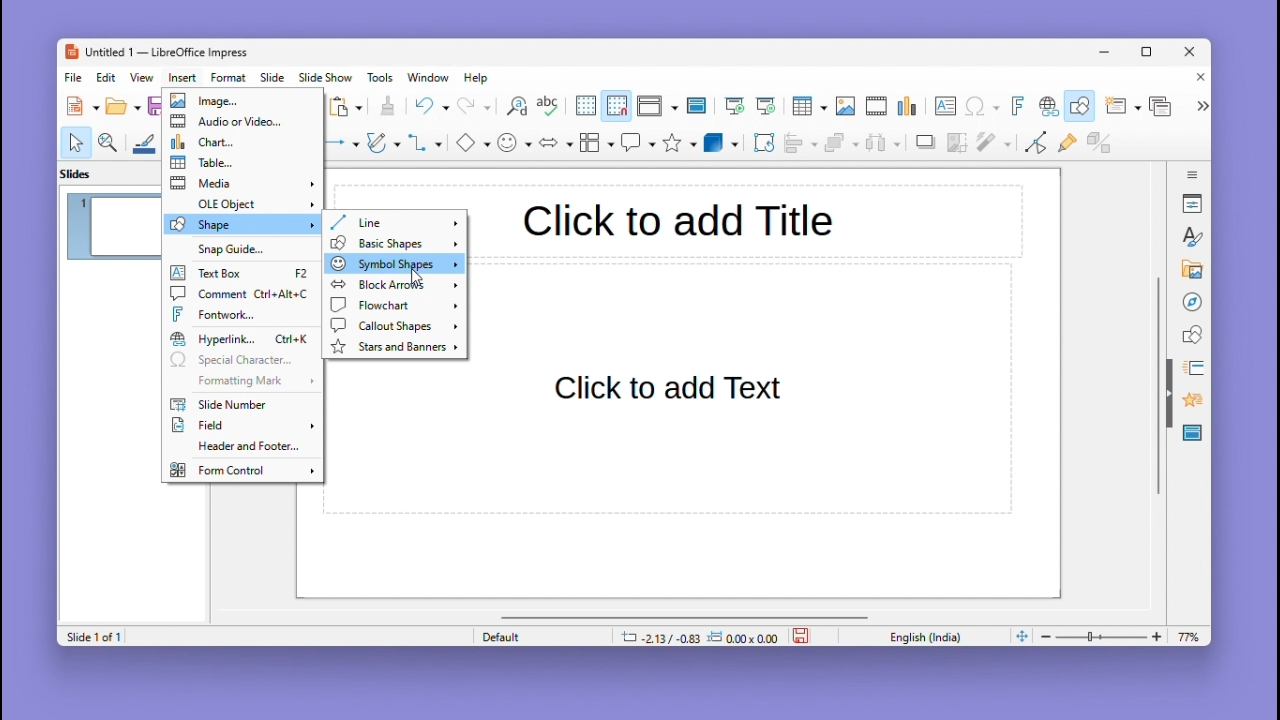 The image size is (1280, 720). Describe the element at coordinates (240, 293) in the screenshot. I see `Comment` at that location.